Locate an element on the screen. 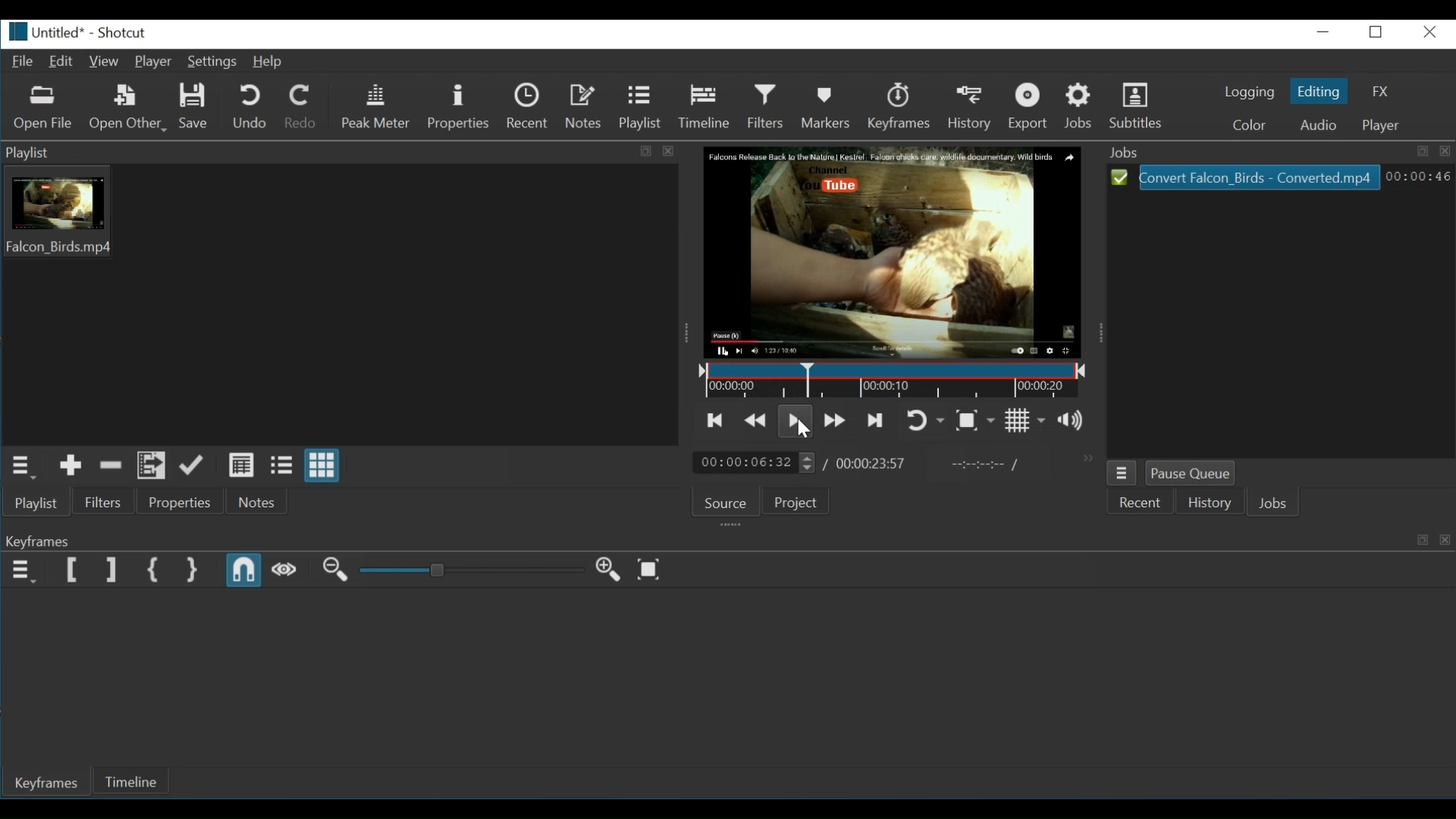 Image resolution: width=1456 pixels, height=819 pixels. Notes is located at coordinates (254, 503).